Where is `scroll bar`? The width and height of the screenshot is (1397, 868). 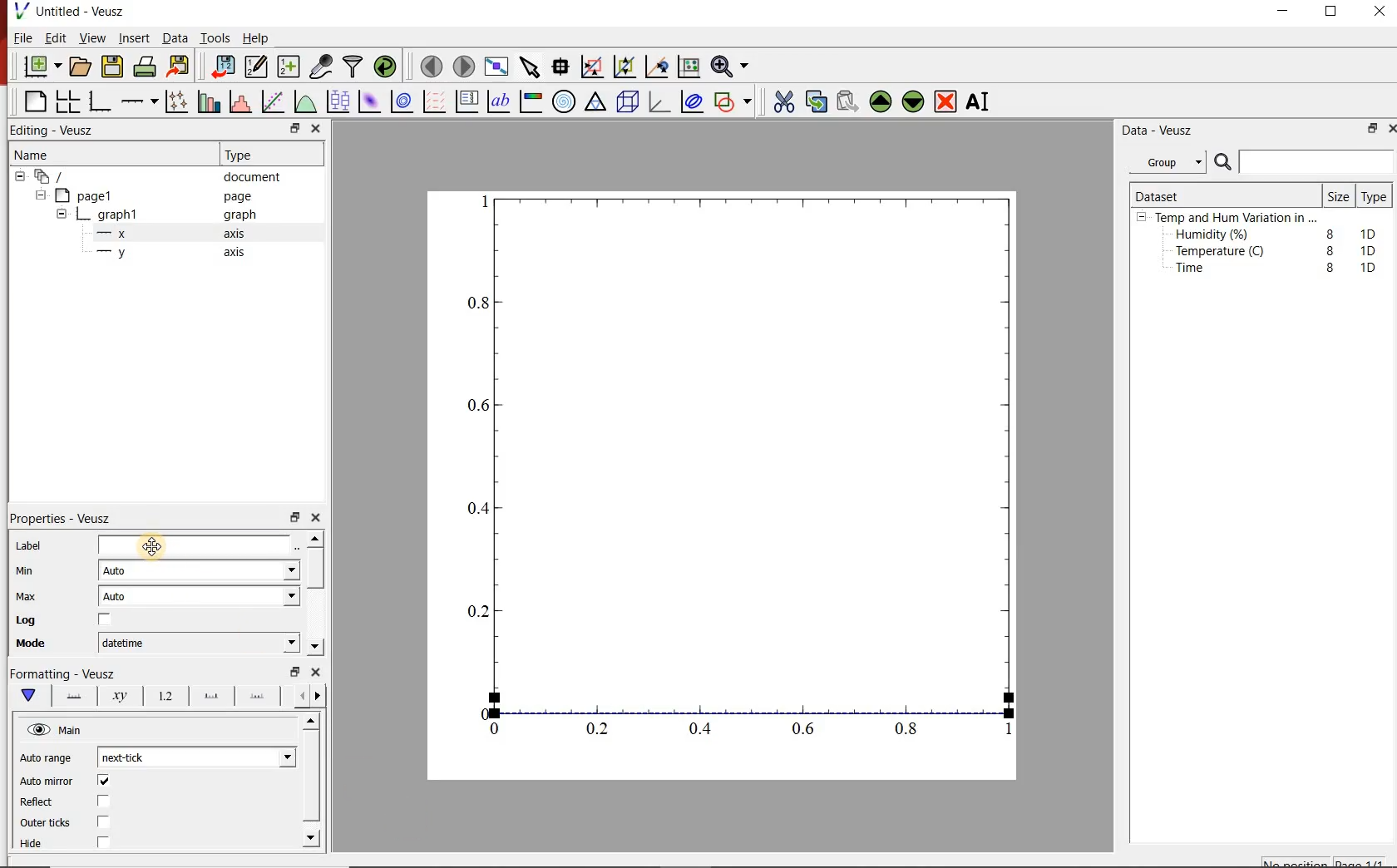
scroll bar is located at coordinates (311, 778).